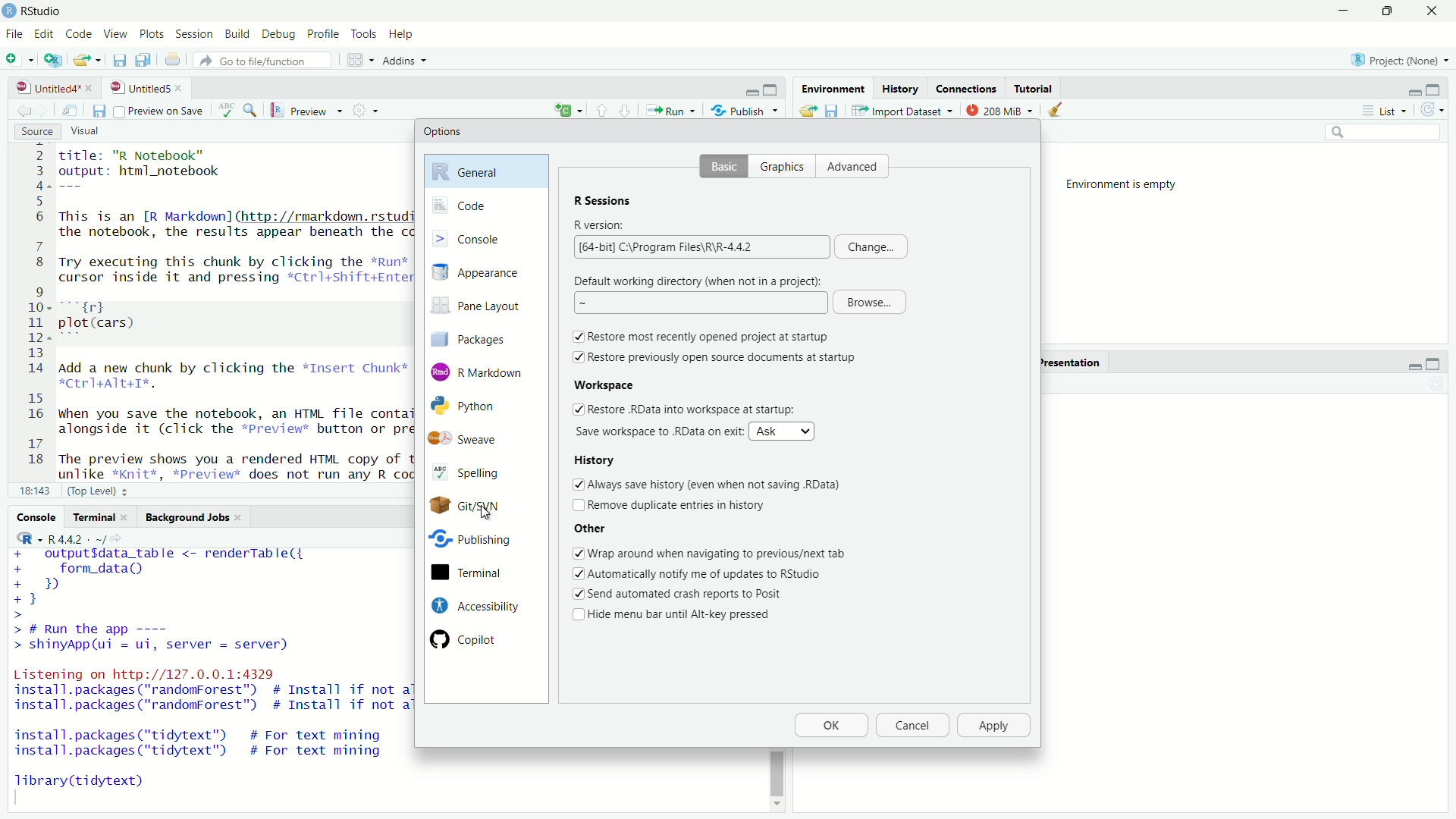 The image size is (1456, 819). I want to click on History, so click(899, 88).